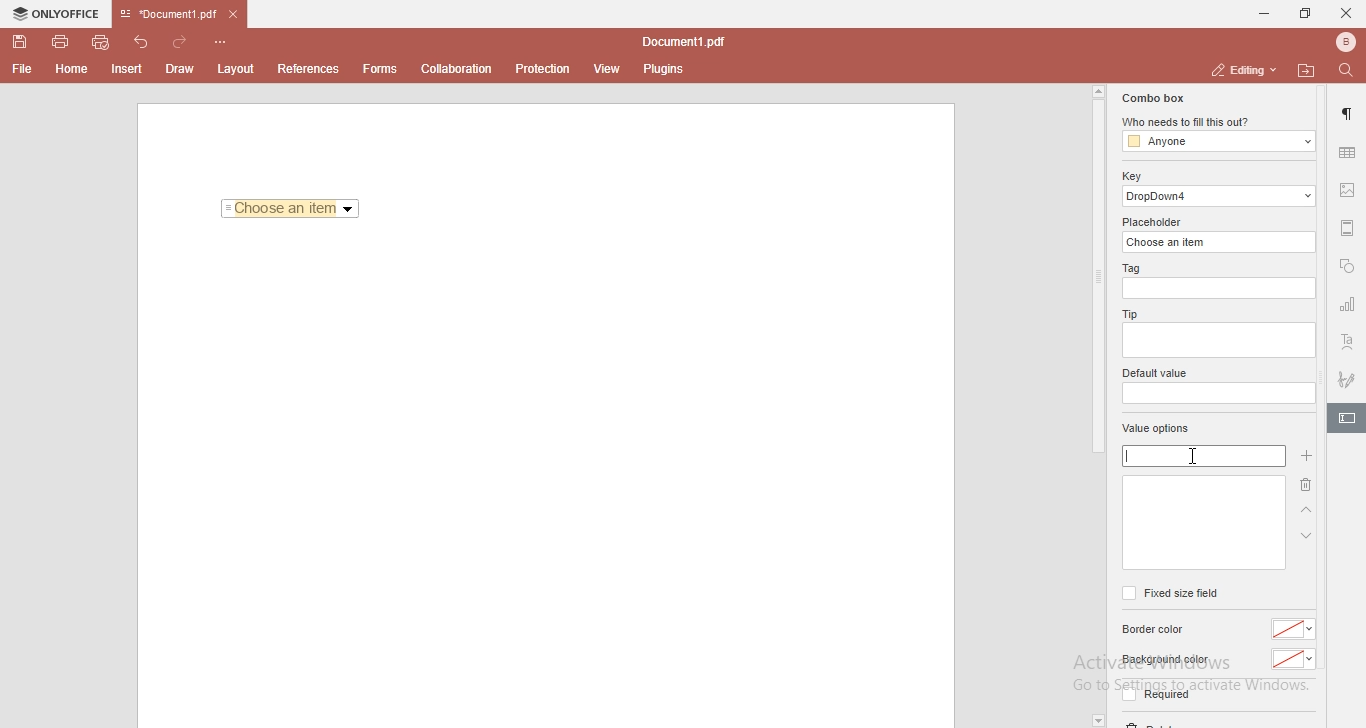 The height and width of the screenshot is (728, 1366). Describe the element at coordinates (239, 69) in the screenshot. I see `layout` at that location.